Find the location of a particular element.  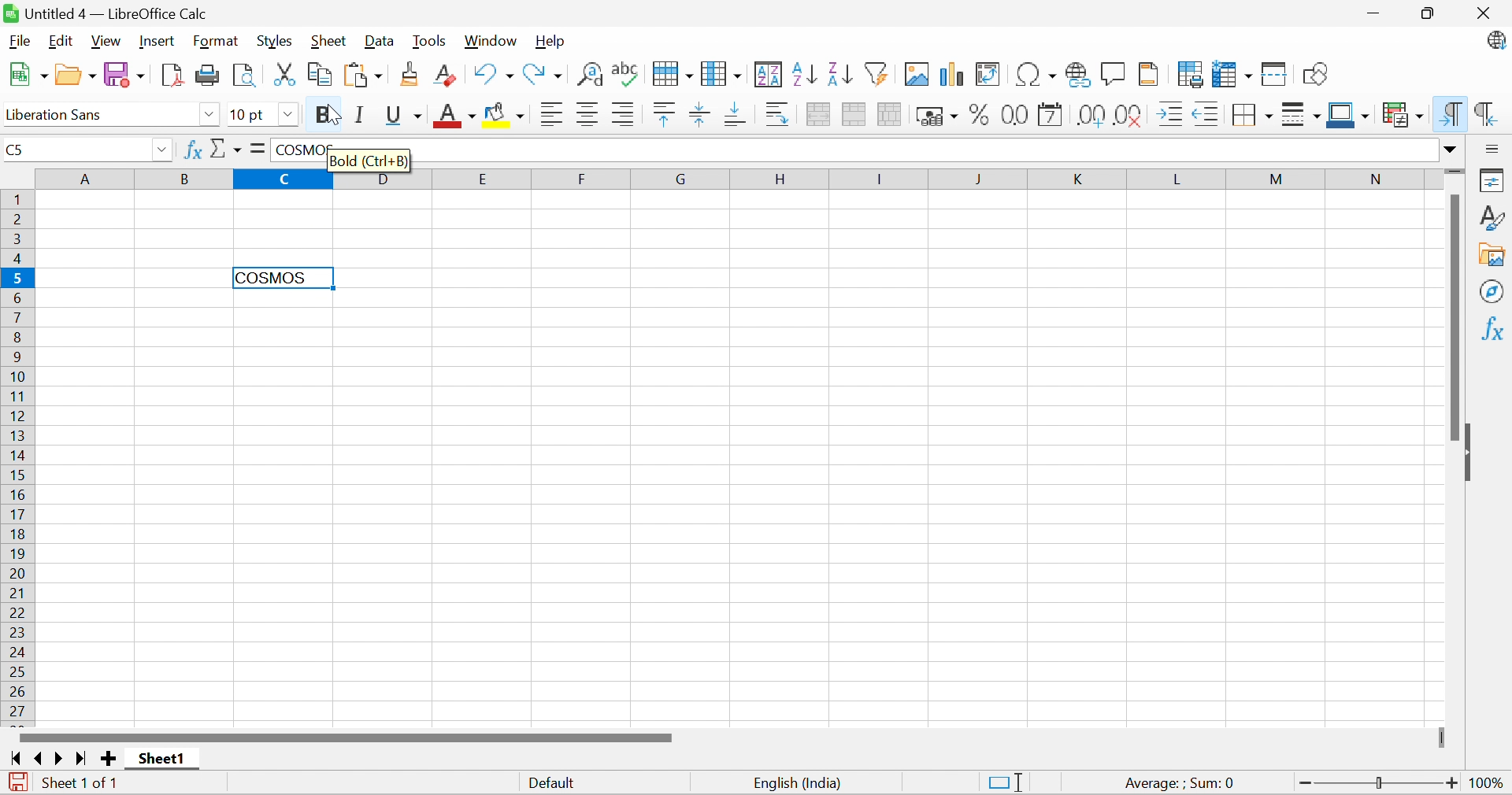

Align bottom is located at coordinates (736, 115).